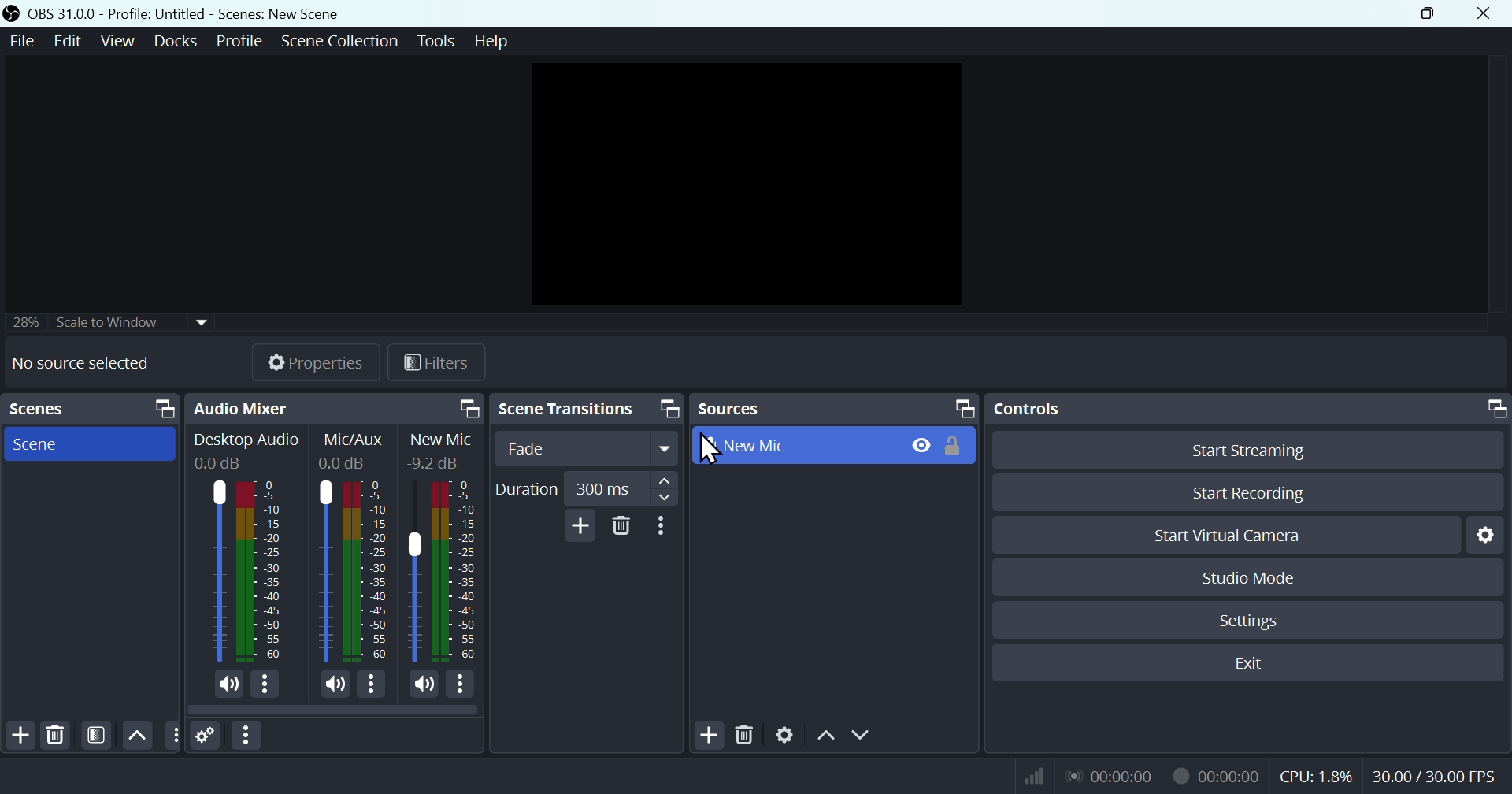 The height and width of the screenshot is (794, 1512). Describe the element at coordinates (1215, 776) in the screenshot. I see `Recording Status` at that location.